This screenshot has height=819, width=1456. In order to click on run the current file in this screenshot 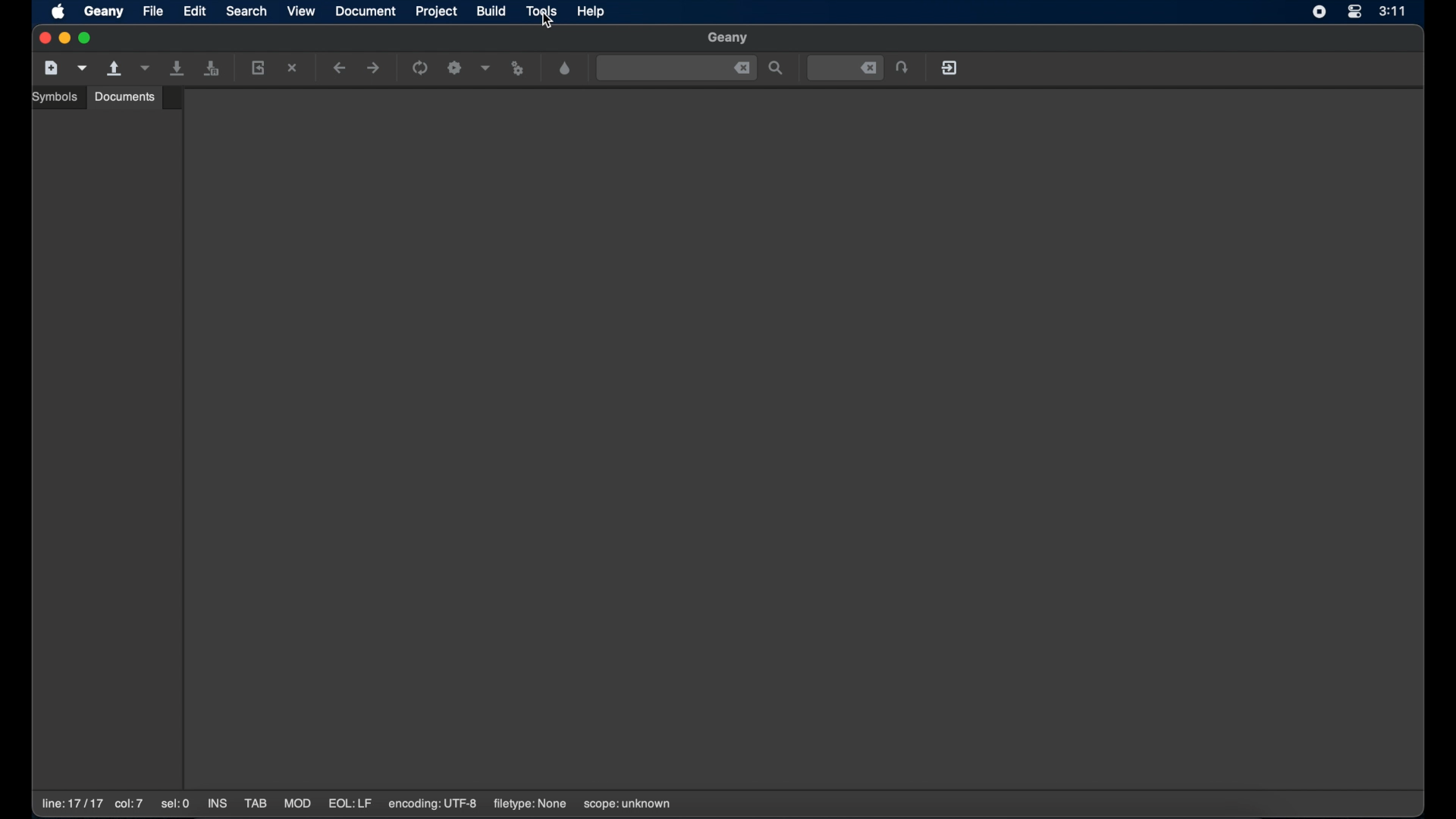, I will do `click(421, 68)`.